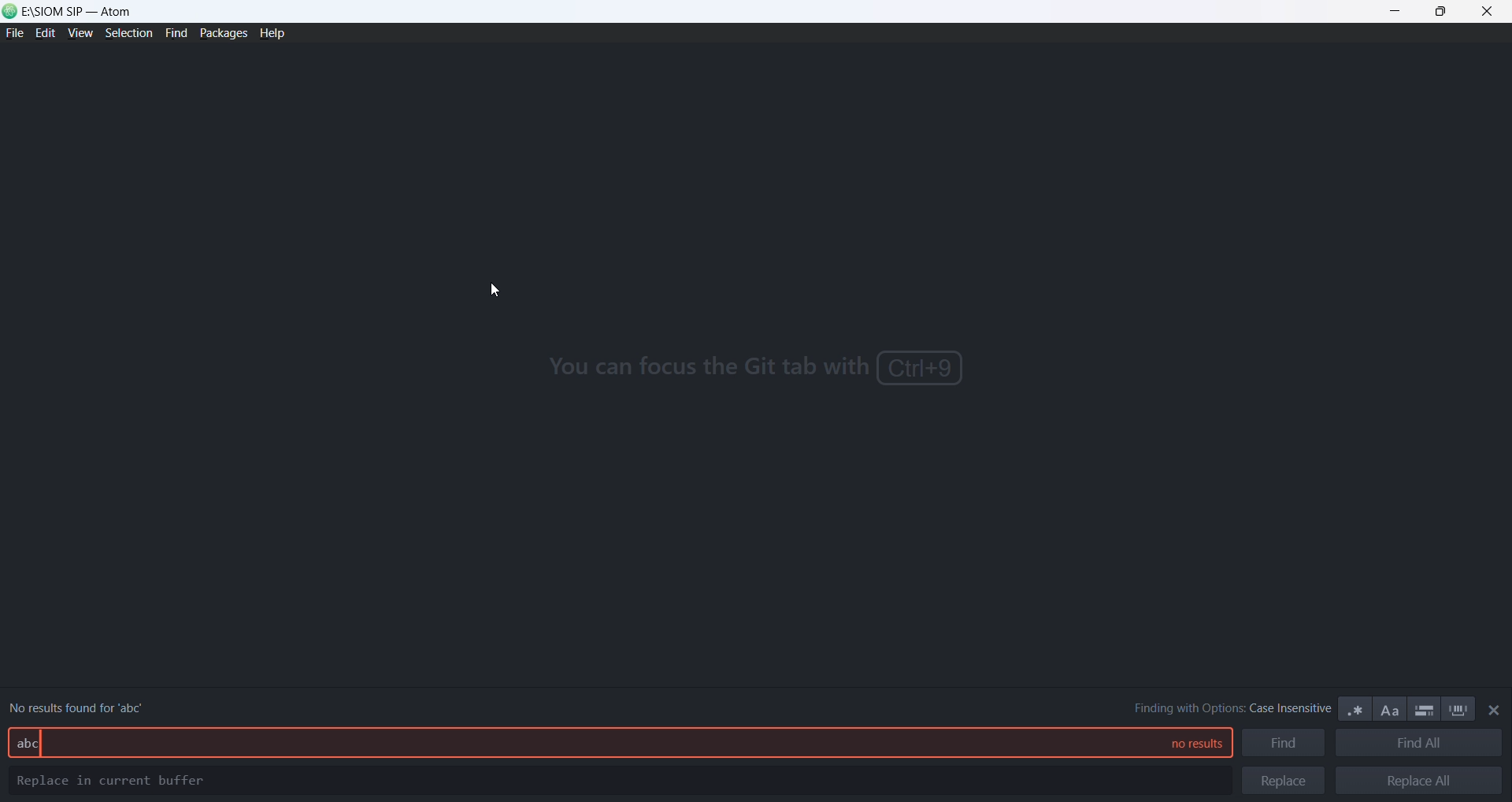  What do you see at coordinates (754, 370) in the screenshot?
I see `you can focus the git tab with ctrl+9` at bounding box center [754, 370].